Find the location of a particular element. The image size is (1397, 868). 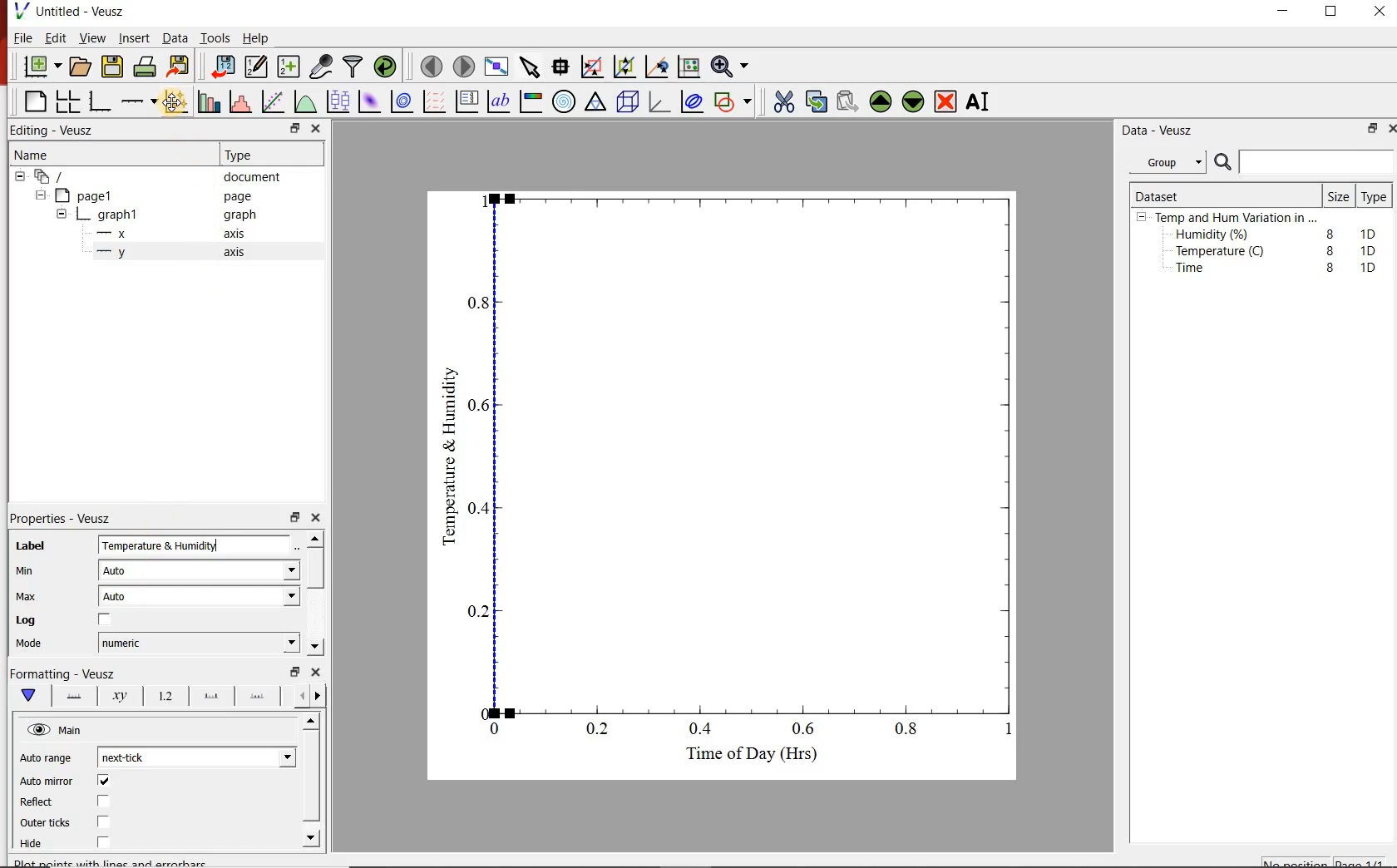

main formatting is located at coordinates (30, 697).